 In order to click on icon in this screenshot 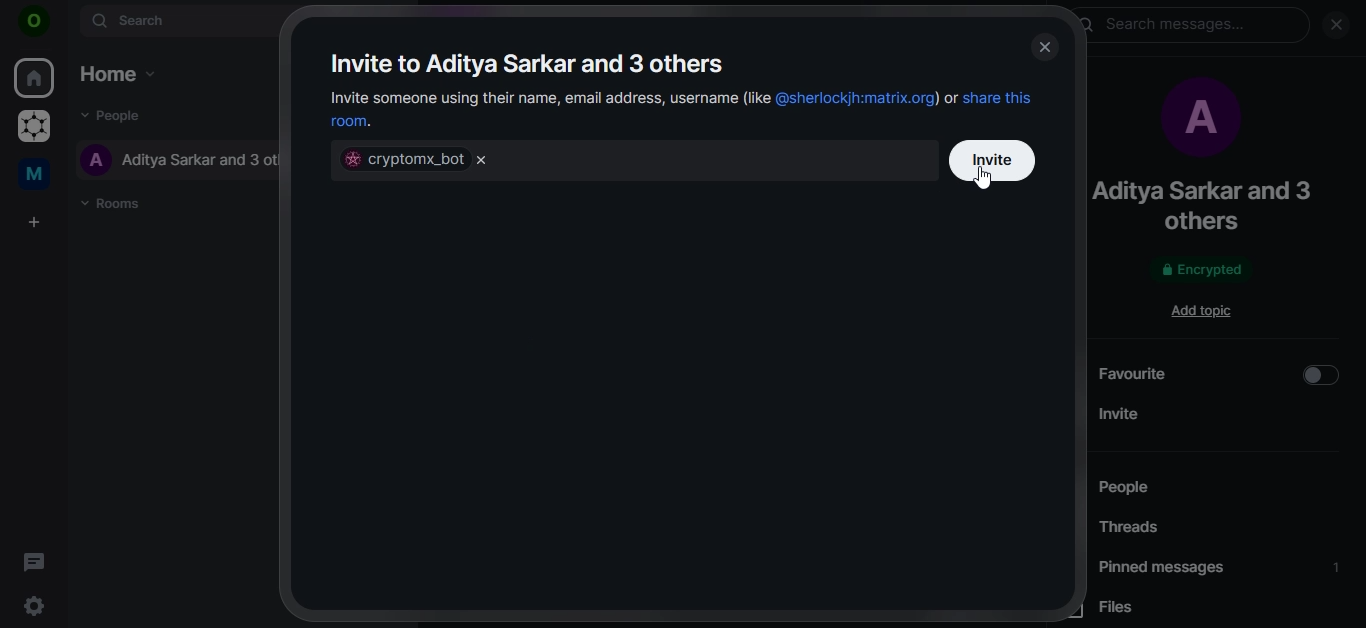, I will do `click(34, 24)`.